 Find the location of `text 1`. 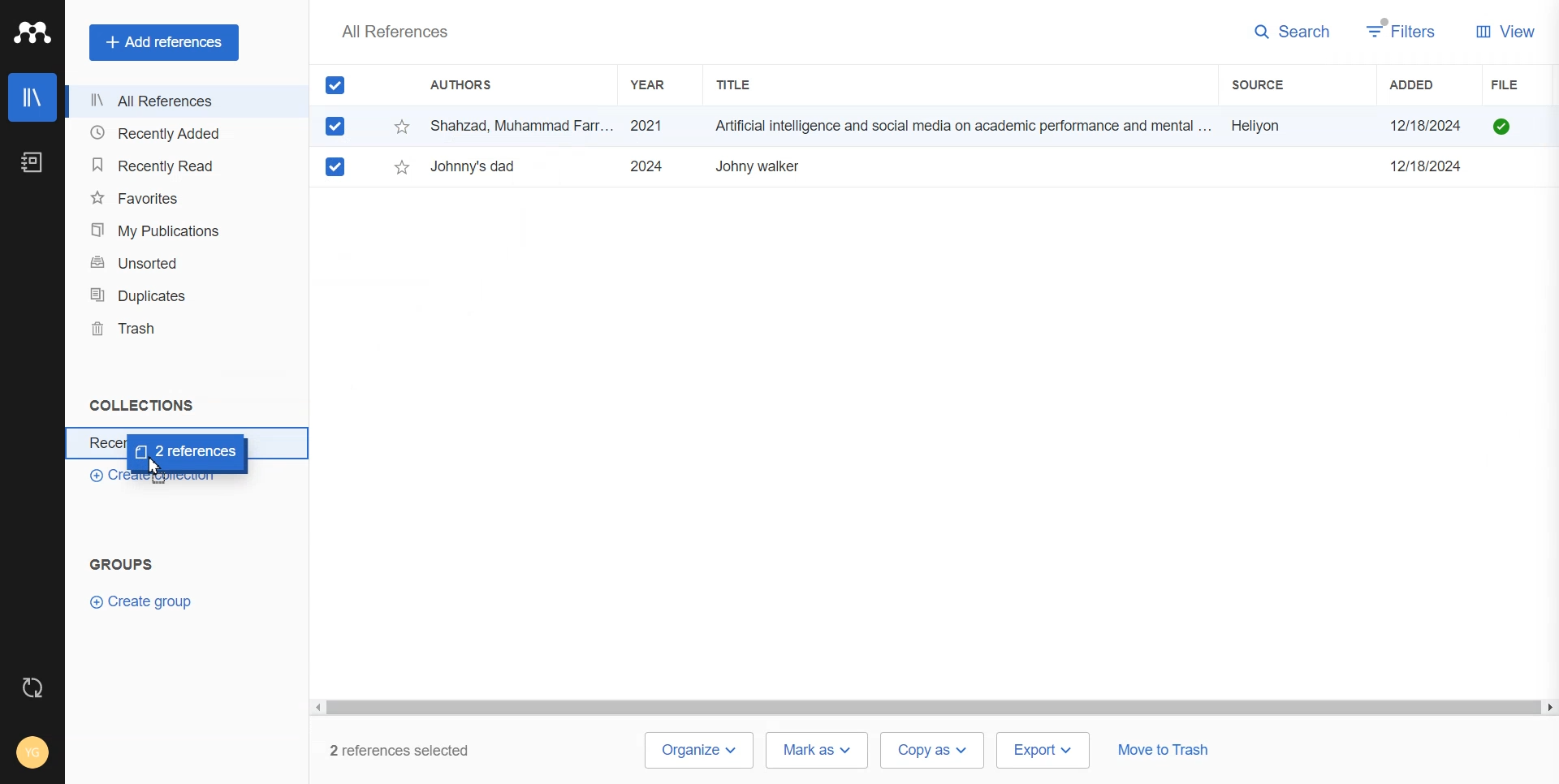

text 1 is located at coordinates (138, 405).